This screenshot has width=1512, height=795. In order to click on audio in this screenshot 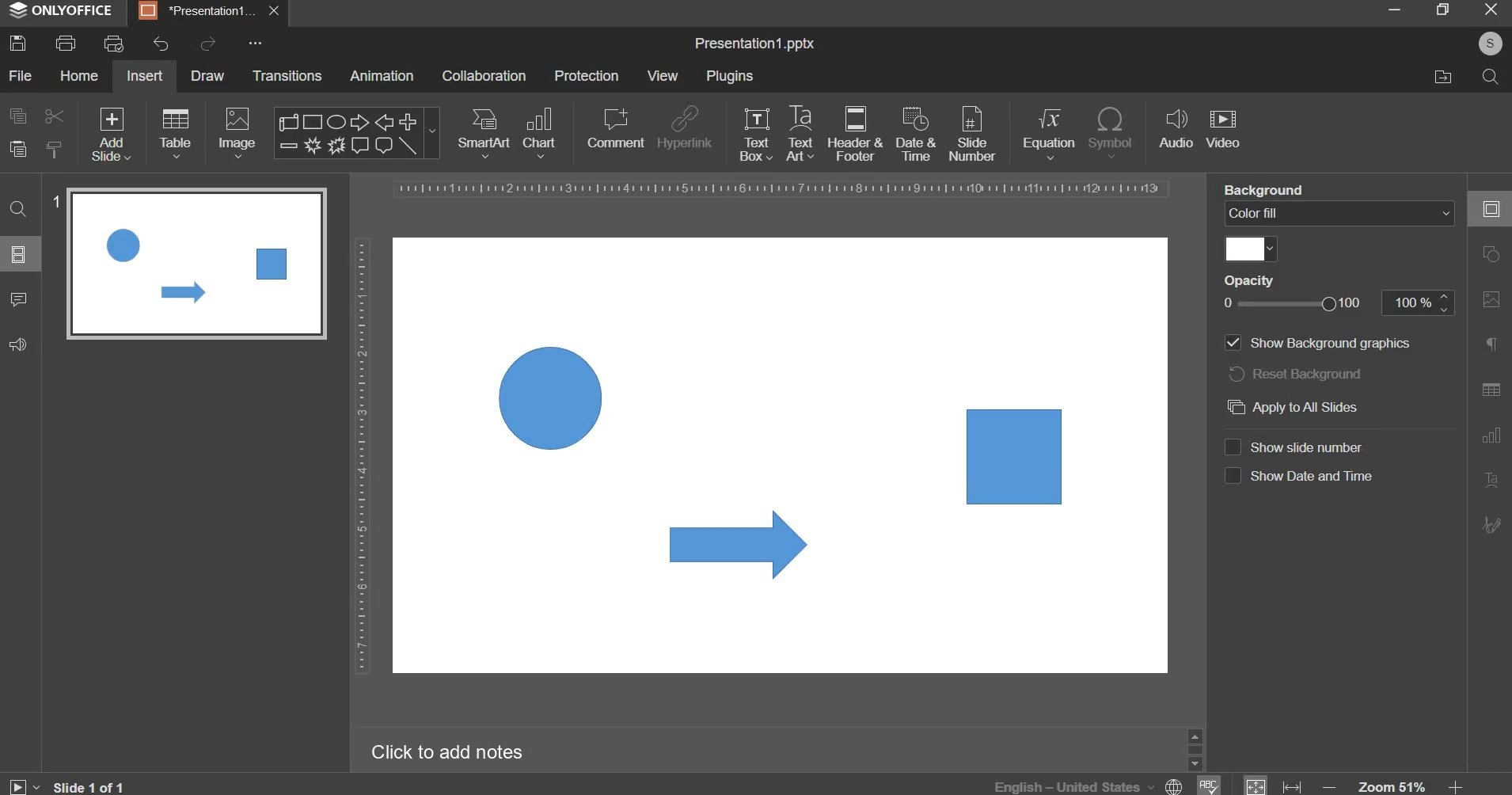, I will do `click(1176, 130)`.